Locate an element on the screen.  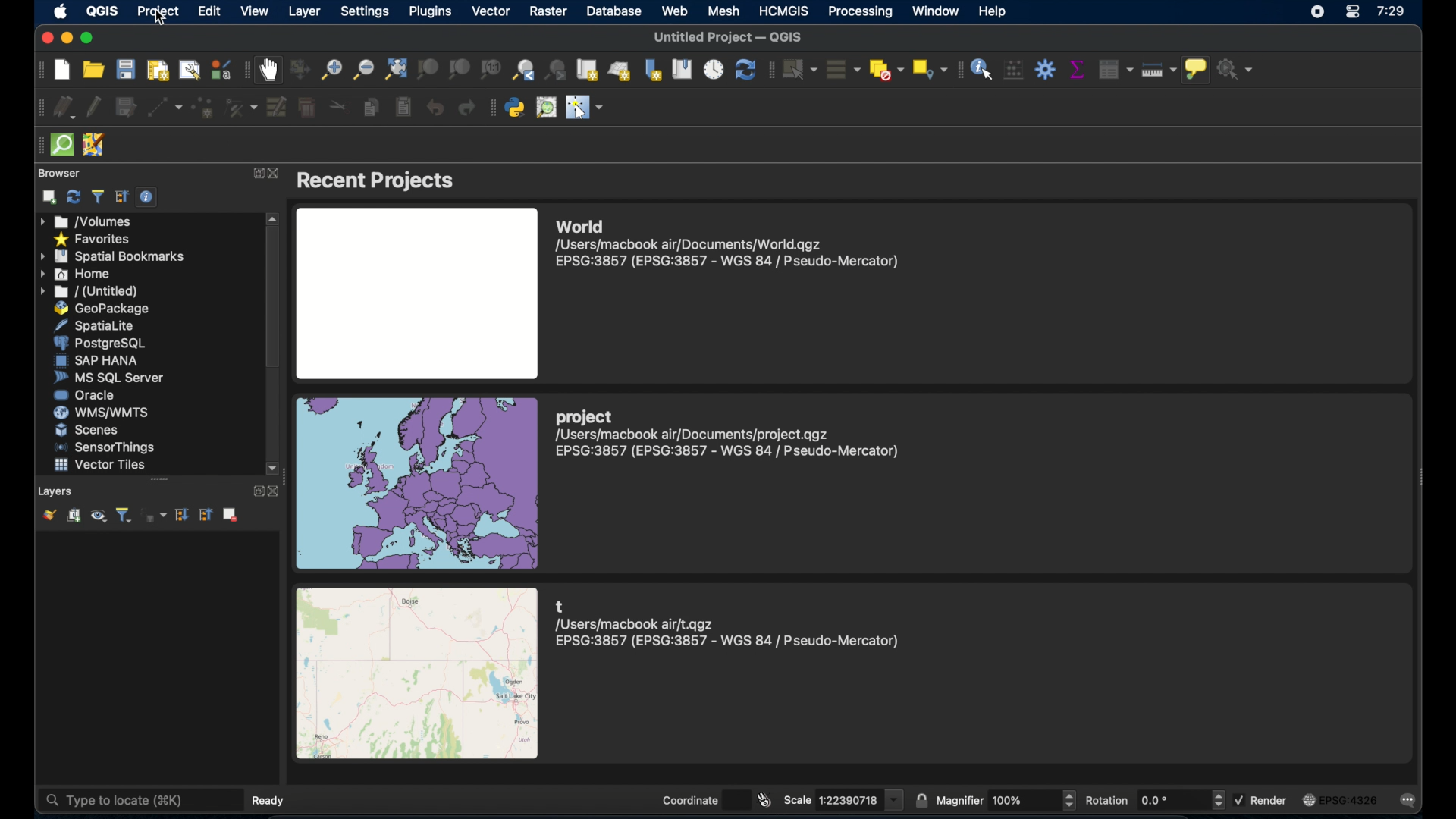
close is located at coordinates (276, 174).